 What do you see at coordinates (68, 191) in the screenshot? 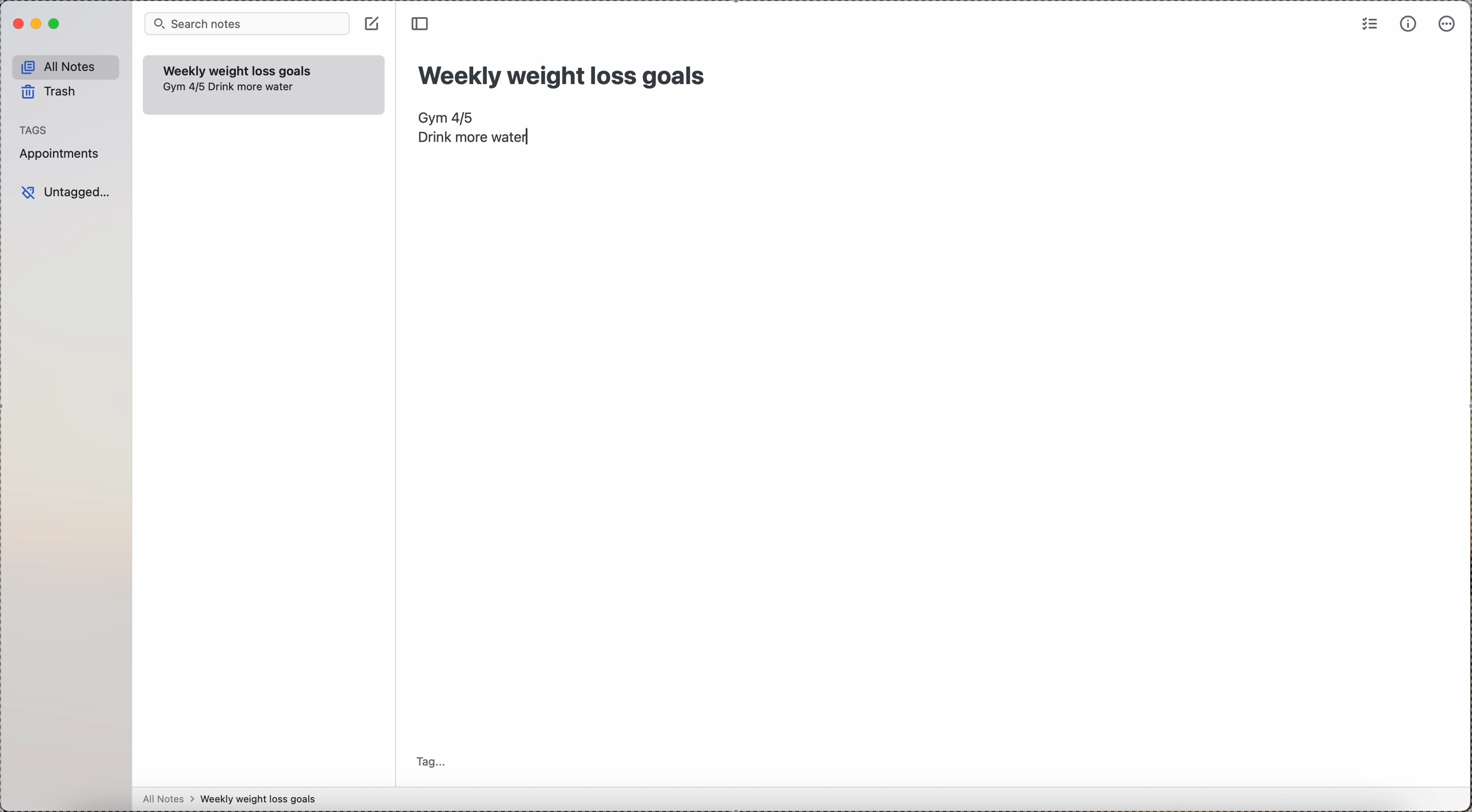
I see `untagged` at bounding box center [68, 191].